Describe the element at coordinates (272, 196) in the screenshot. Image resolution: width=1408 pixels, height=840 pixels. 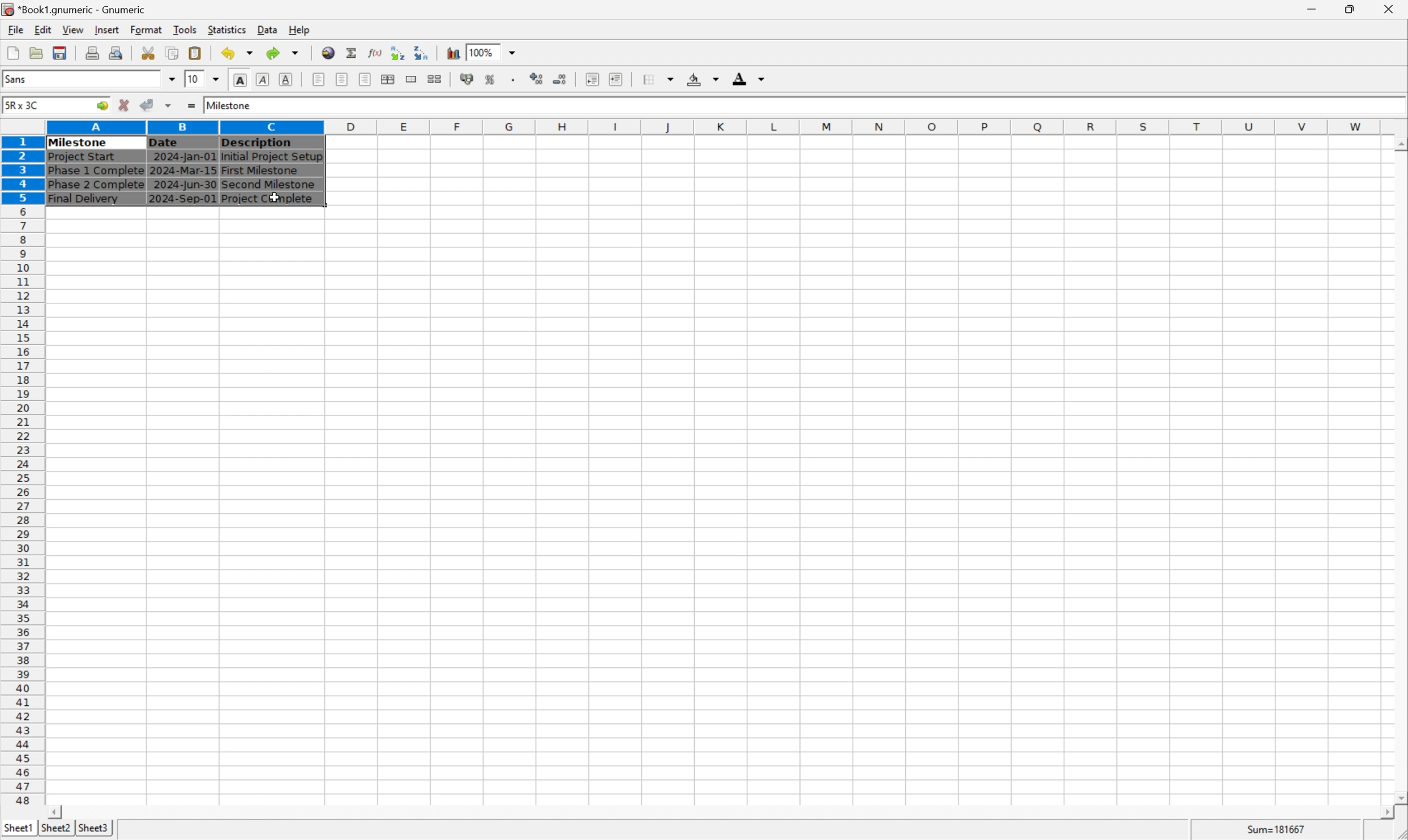
I see `Cursor` at that location.